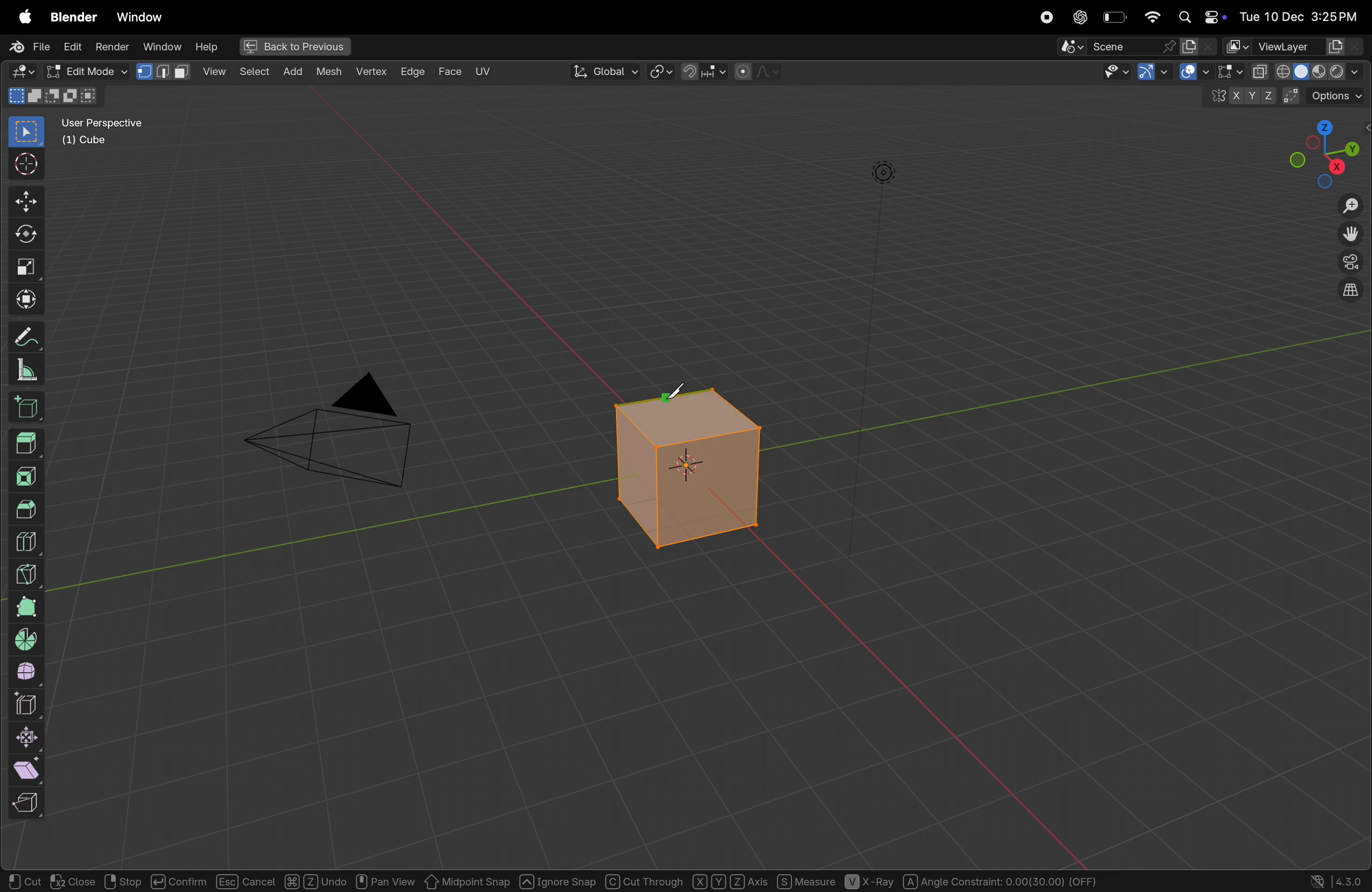 The image size is (1372, 892). Describe the element at coordinates (1181, 73) in the screenshot. I see `show gimzo` at that location.